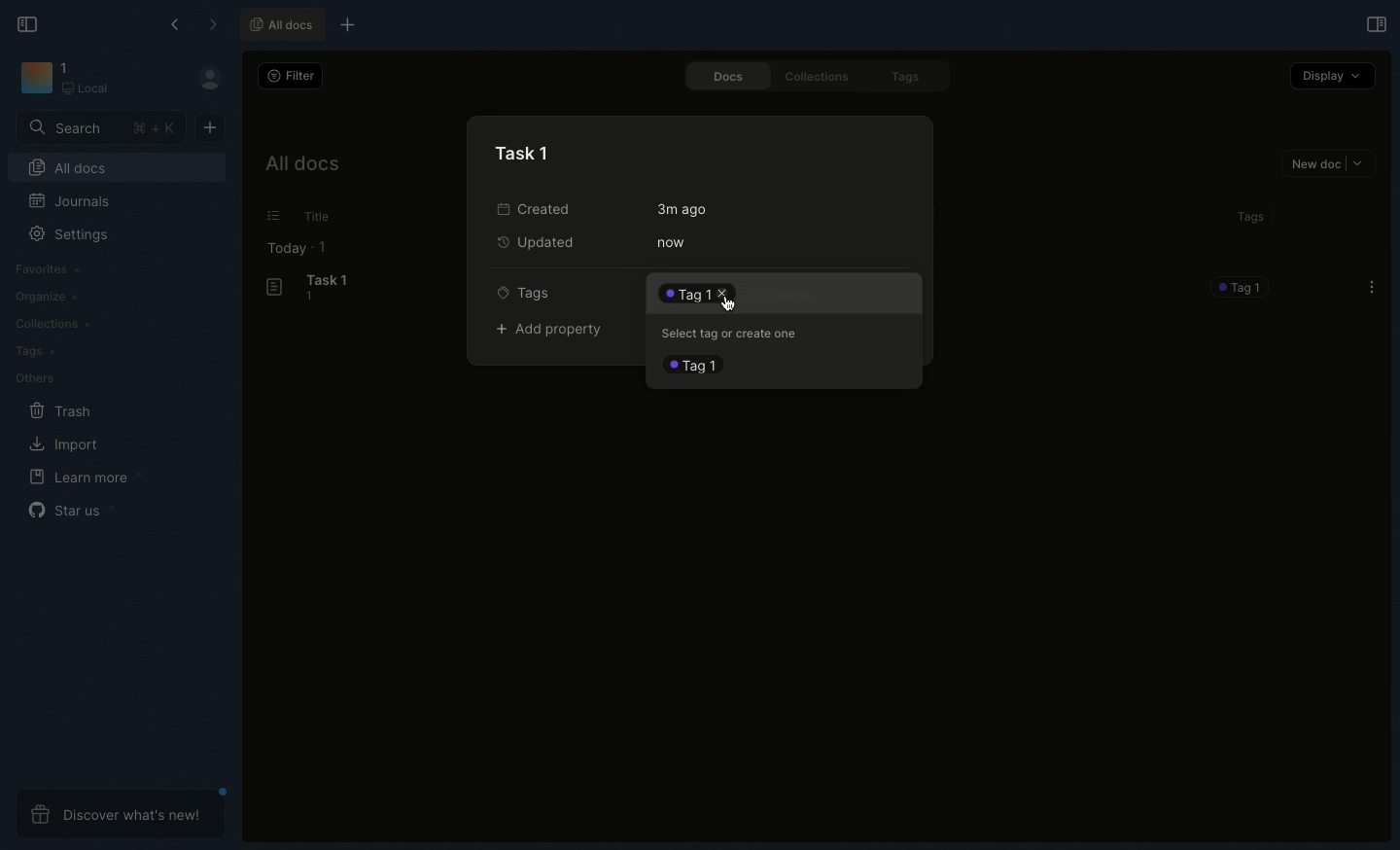  I want to click on Settings, so click(65, 233).